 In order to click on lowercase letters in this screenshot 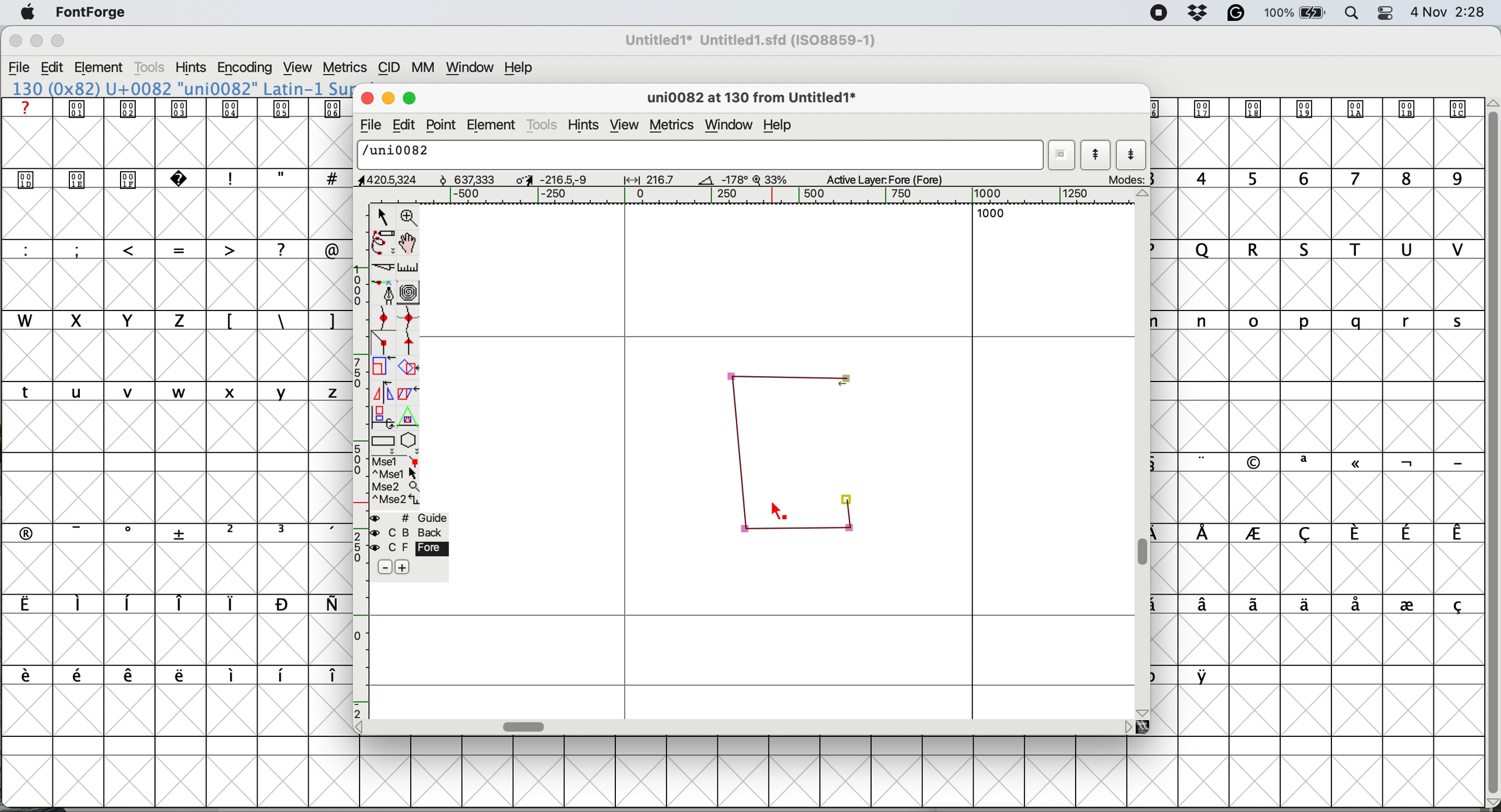, I will do `click(1327, 321)`.